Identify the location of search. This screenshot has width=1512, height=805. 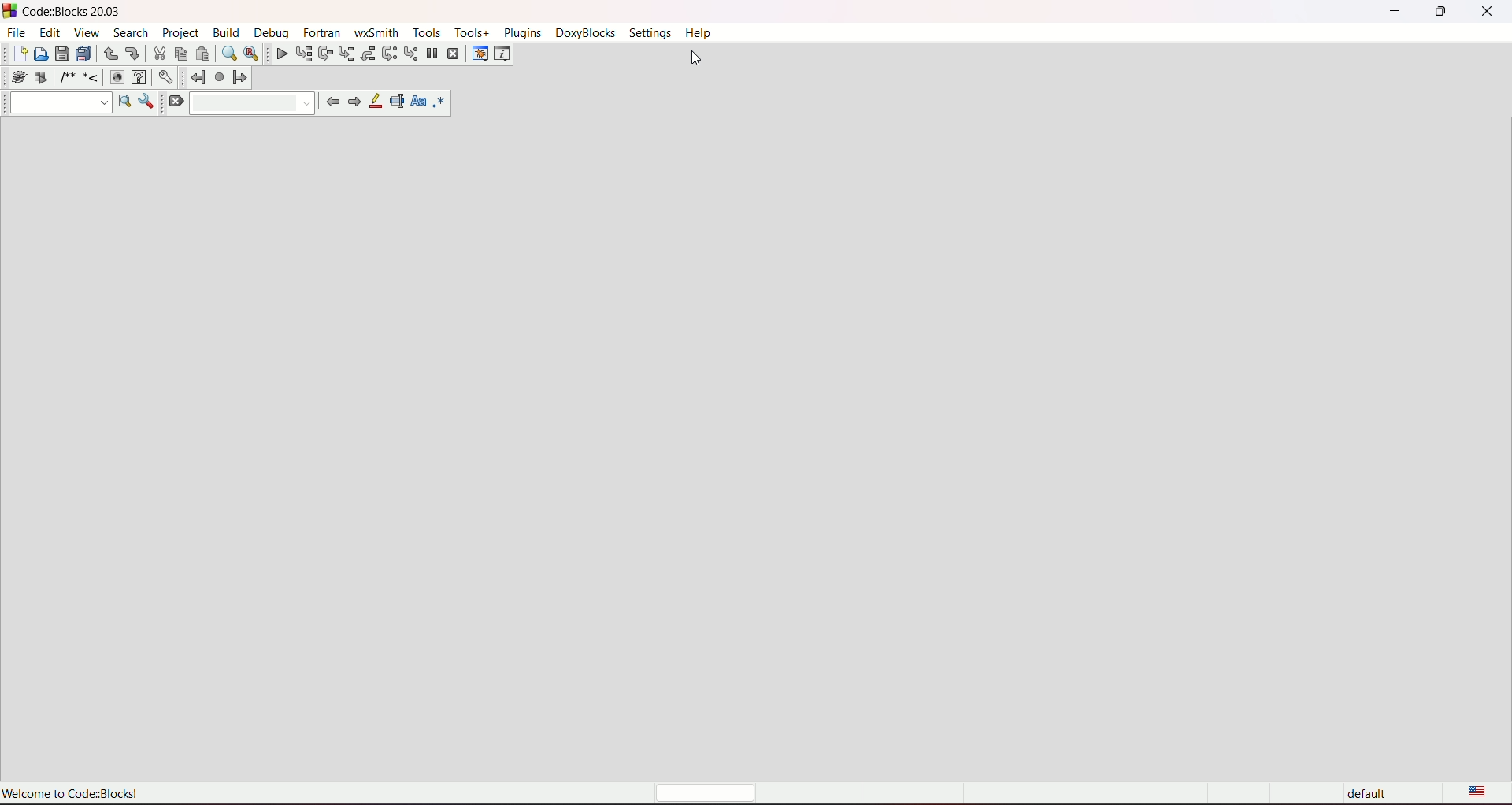
(130, 32).